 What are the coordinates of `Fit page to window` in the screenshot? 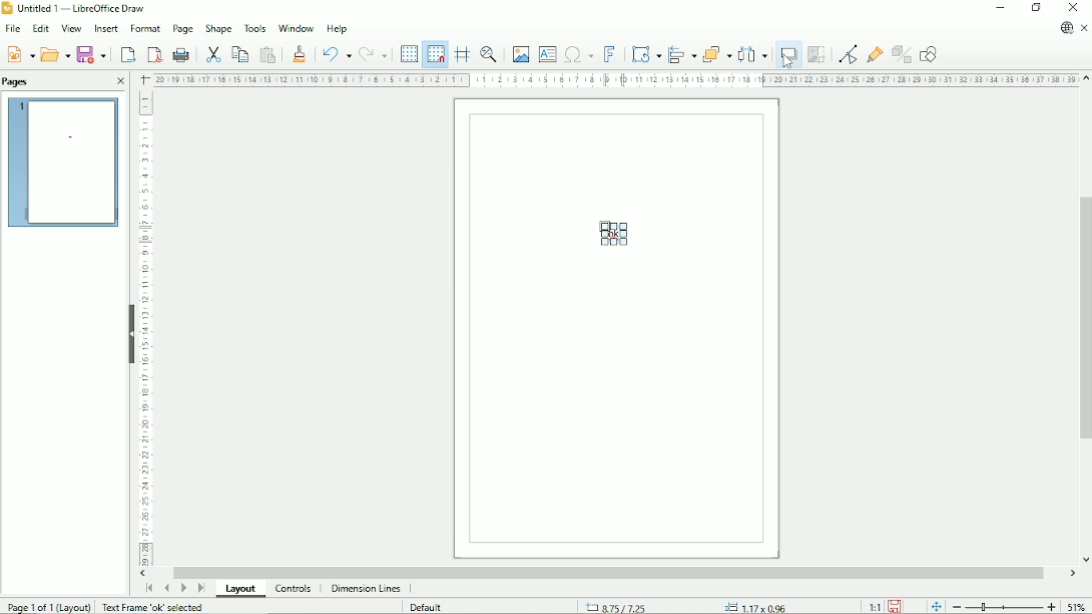 It's located at (937, 606).